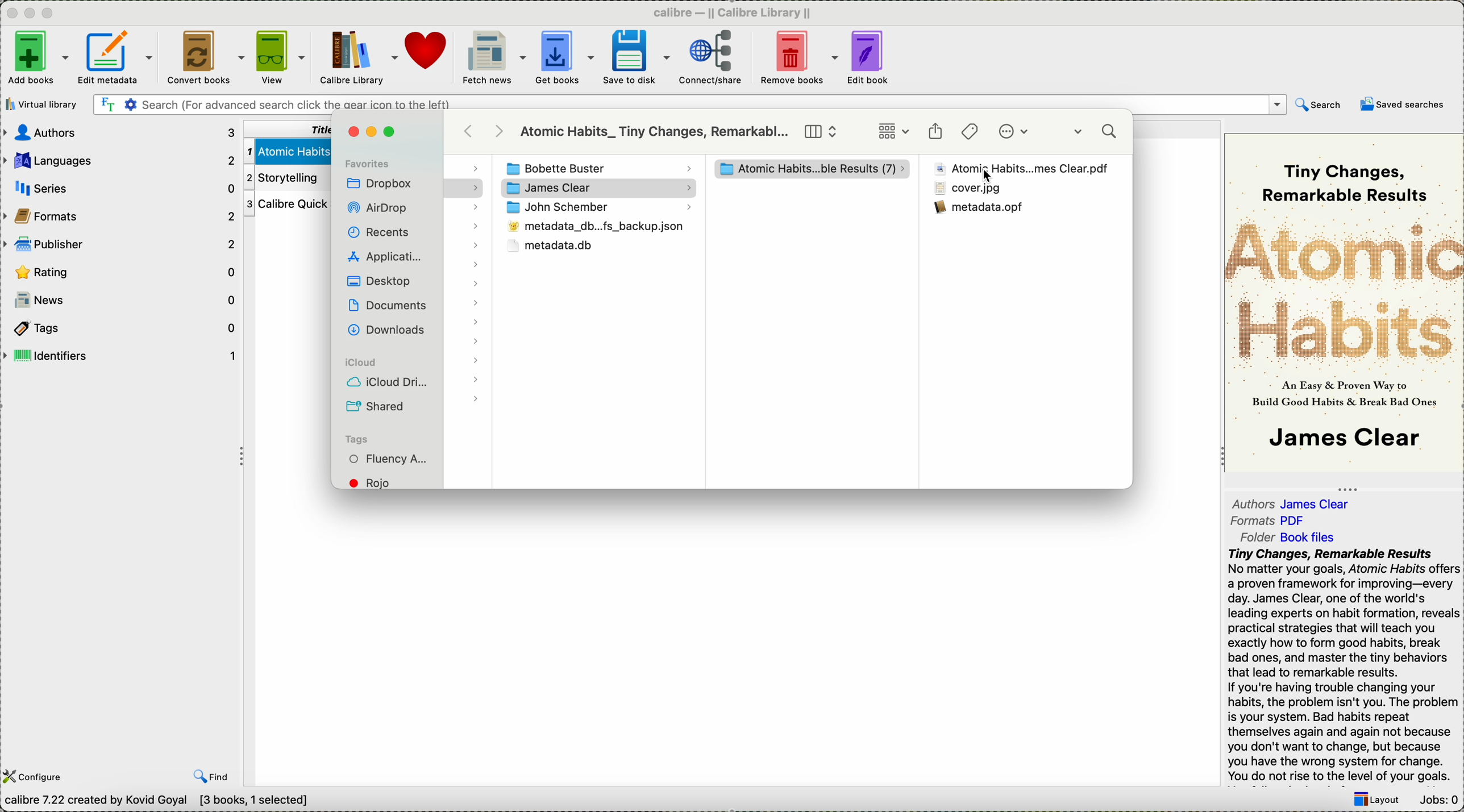 The image size is (1464, 812). What do you see at coordinates (600, 188) in the screenshot?
I see `james clear` at bounding box center [600, 188].